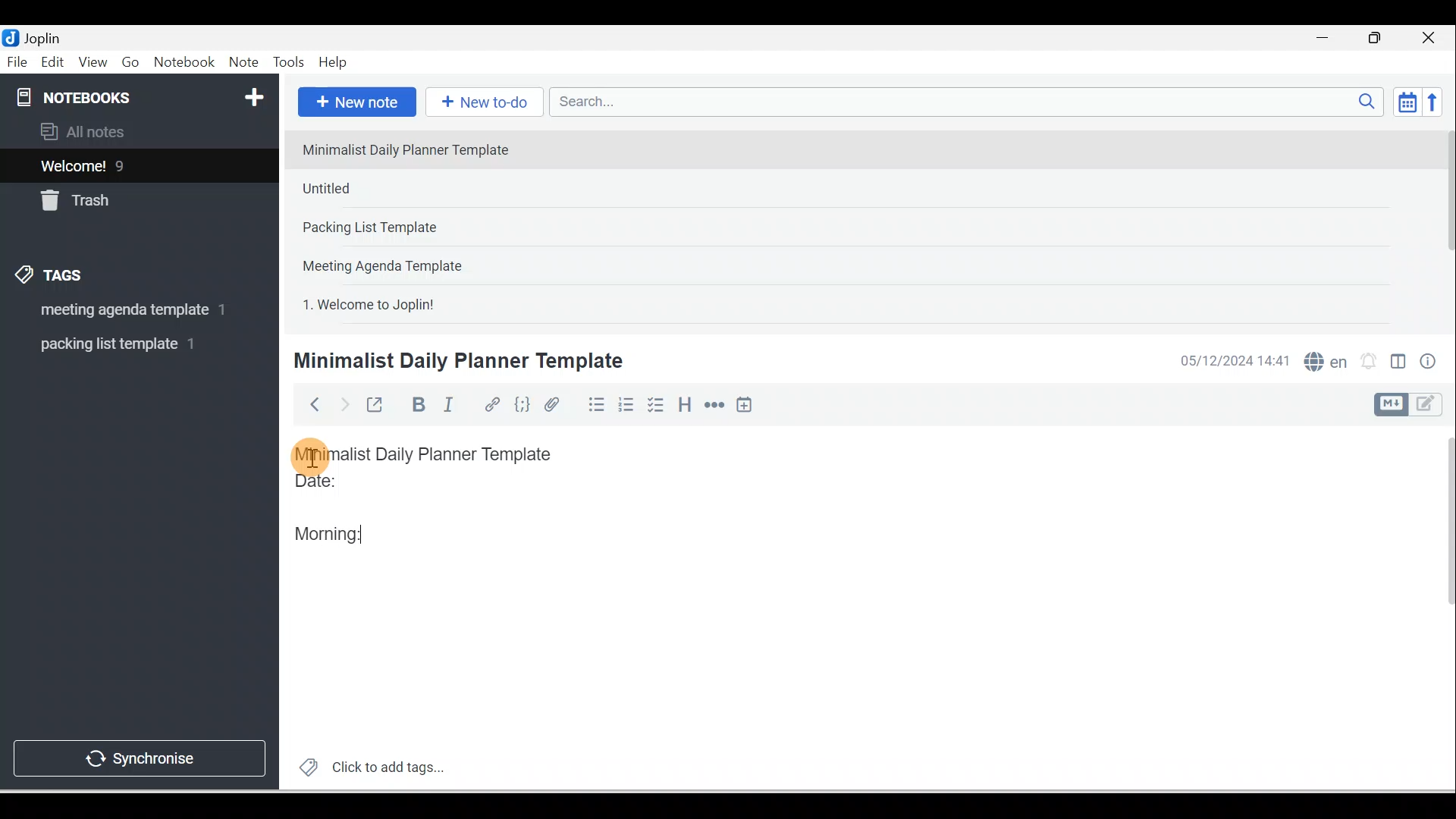  I want to click on Date:, so click(359, 488).